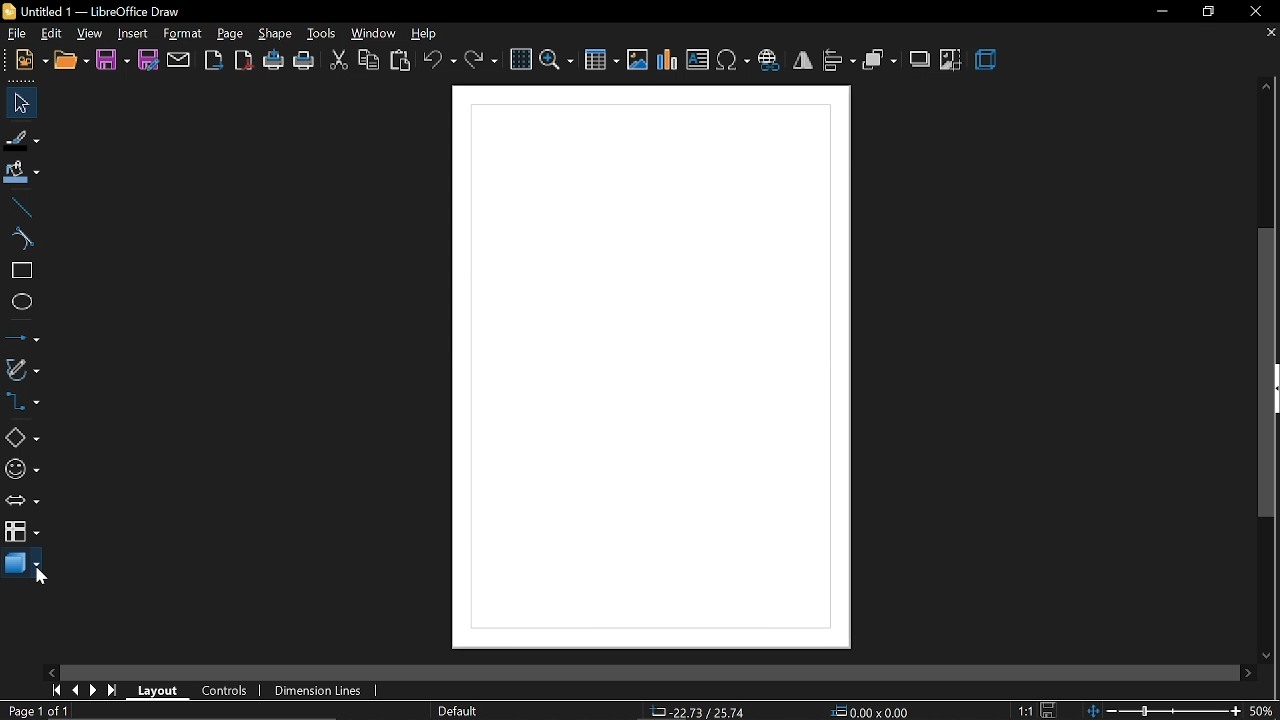 Image resolution: width=1280 pixels, height=720 pixels. I want to click on move right, so click(1251, 675).